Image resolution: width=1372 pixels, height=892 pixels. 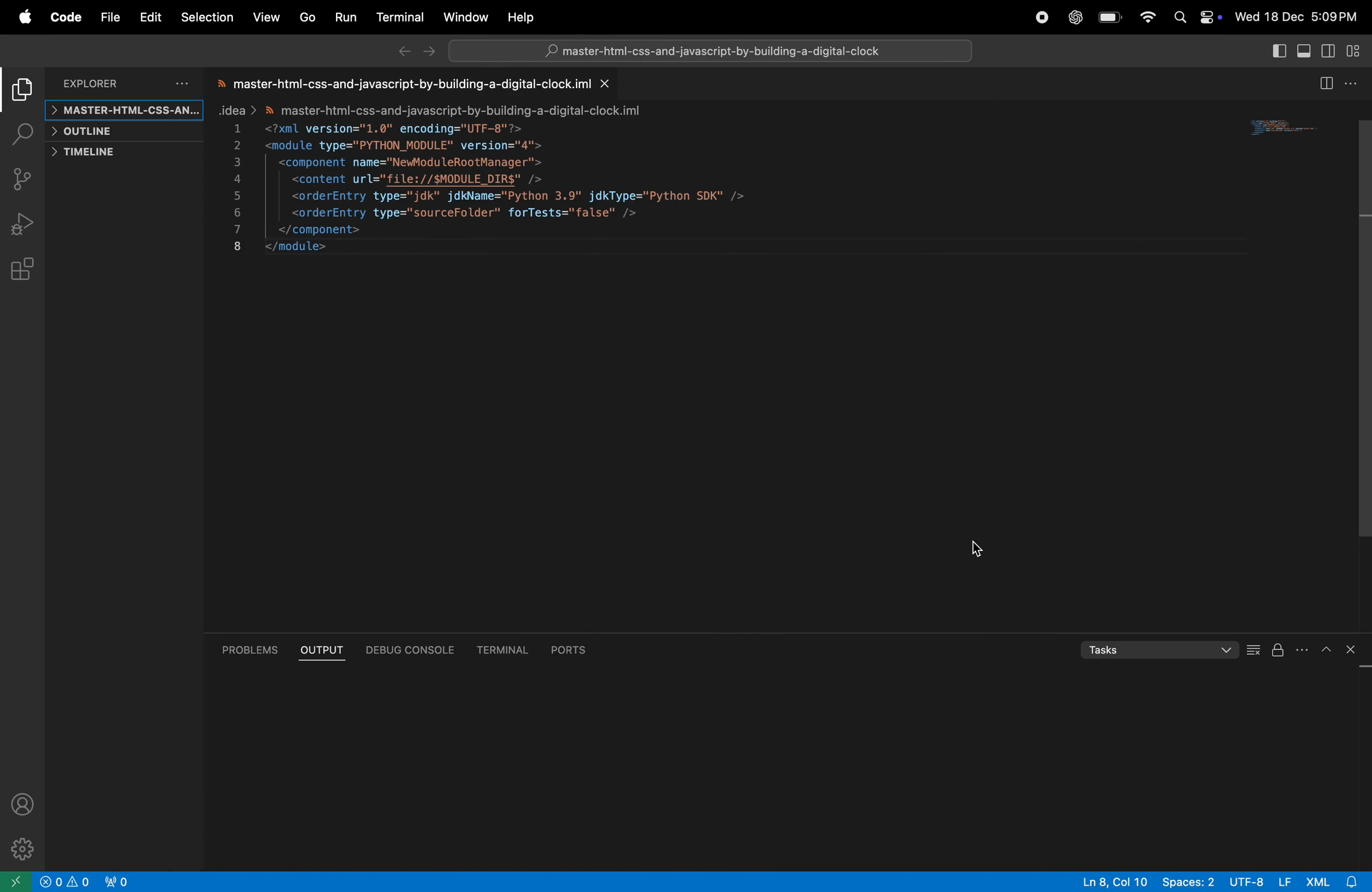 I want to click on settings, so click(x=19, y=848).